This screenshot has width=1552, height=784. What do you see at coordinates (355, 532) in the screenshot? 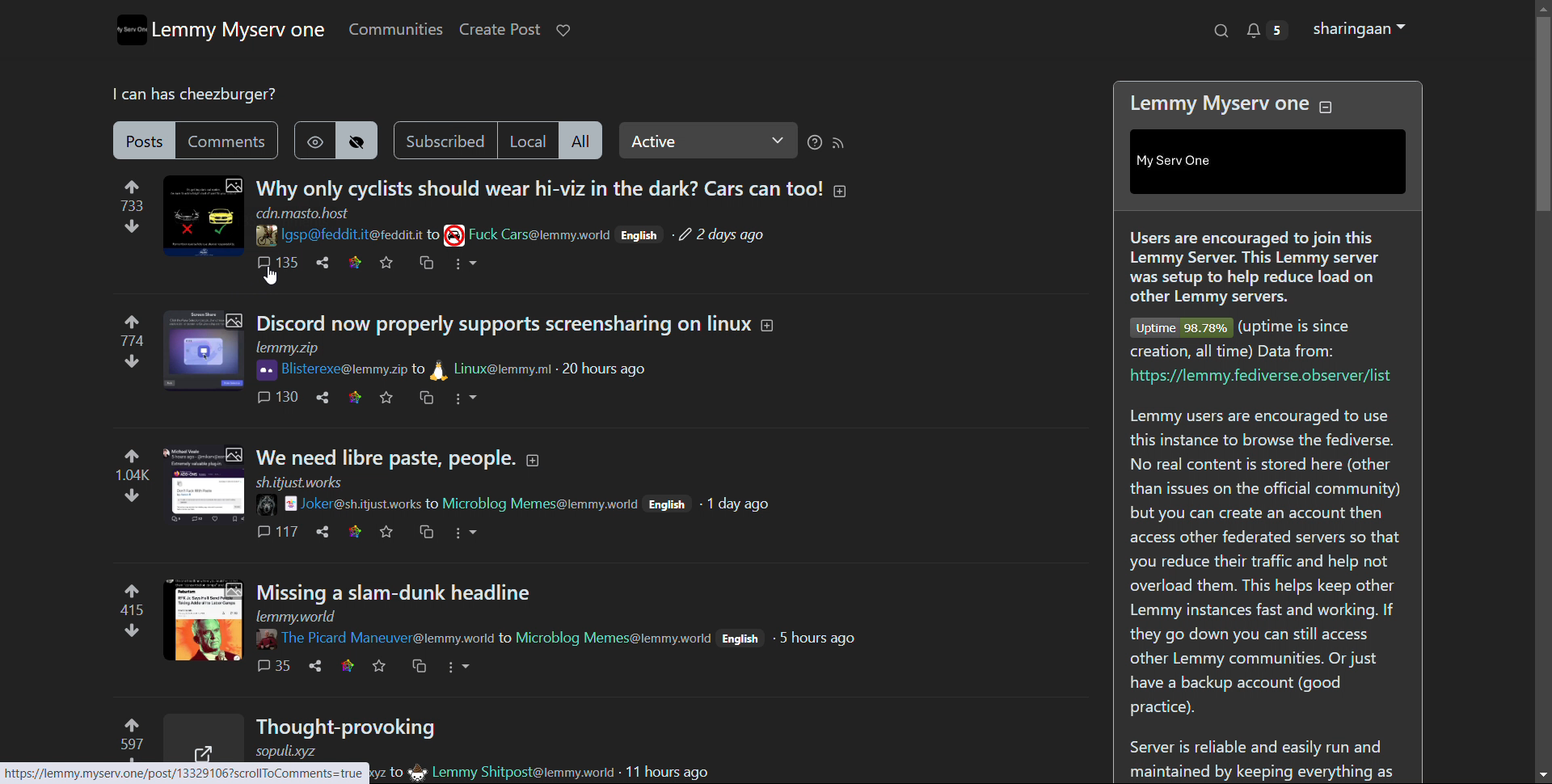
I see `link` at bounding box center [355, 532].